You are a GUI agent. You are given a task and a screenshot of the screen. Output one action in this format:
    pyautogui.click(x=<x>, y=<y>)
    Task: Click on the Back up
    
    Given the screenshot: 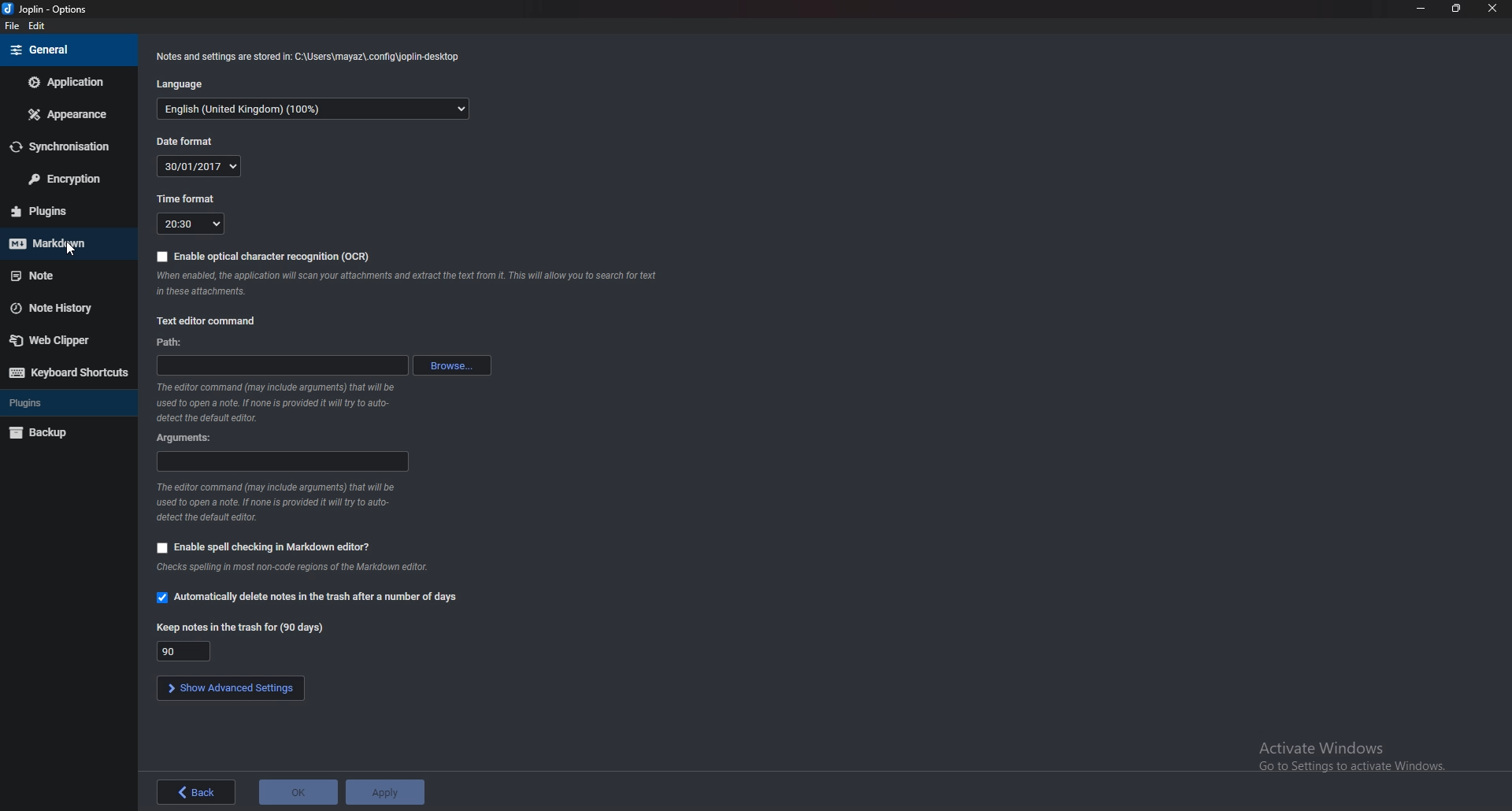 What is the action you would take?
    pyautogui.click(x=65, y=433)
    